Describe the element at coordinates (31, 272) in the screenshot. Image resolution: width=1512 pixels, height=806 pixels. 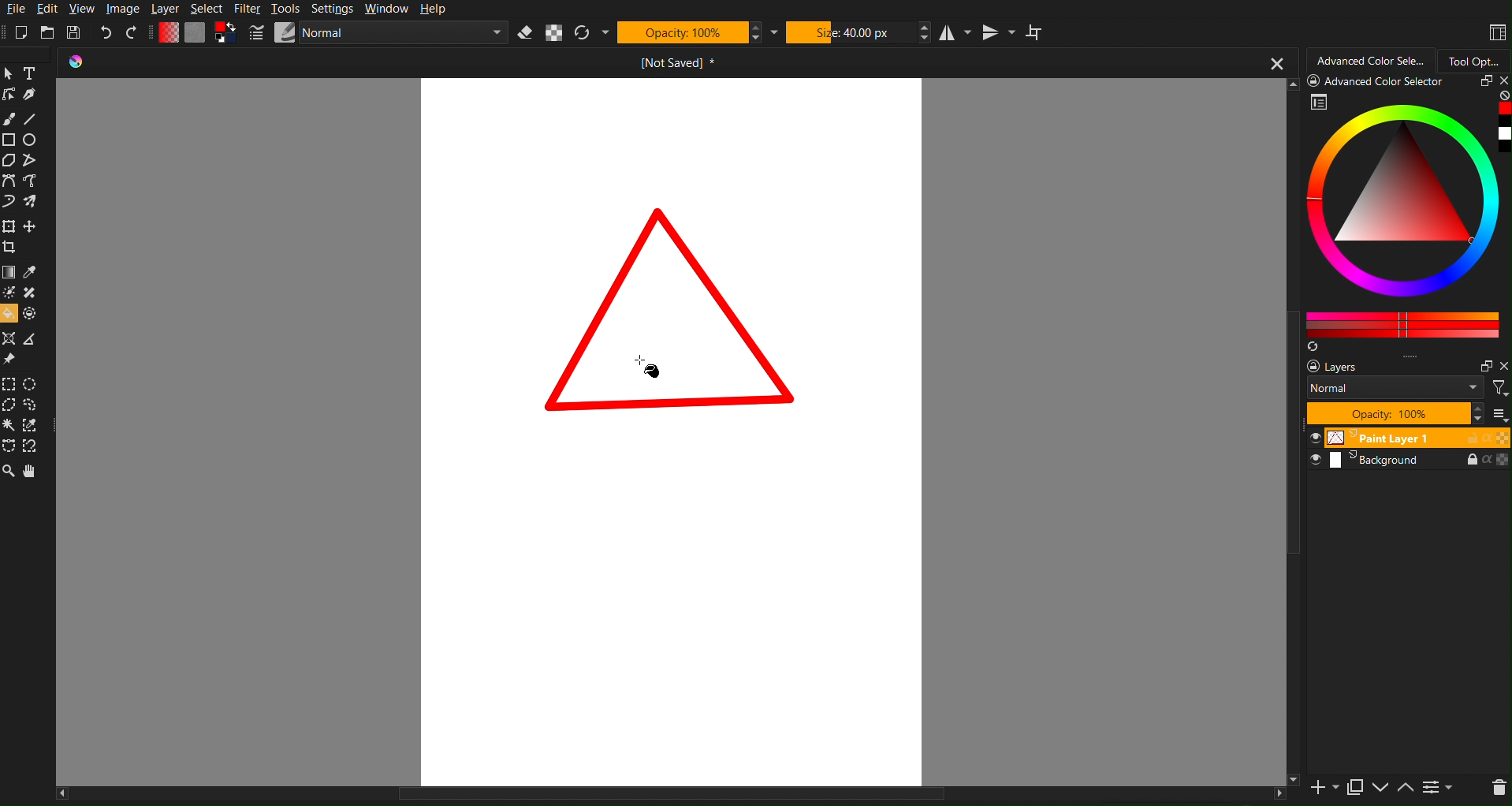
I see `sample a color from the image or current layer` at that location.